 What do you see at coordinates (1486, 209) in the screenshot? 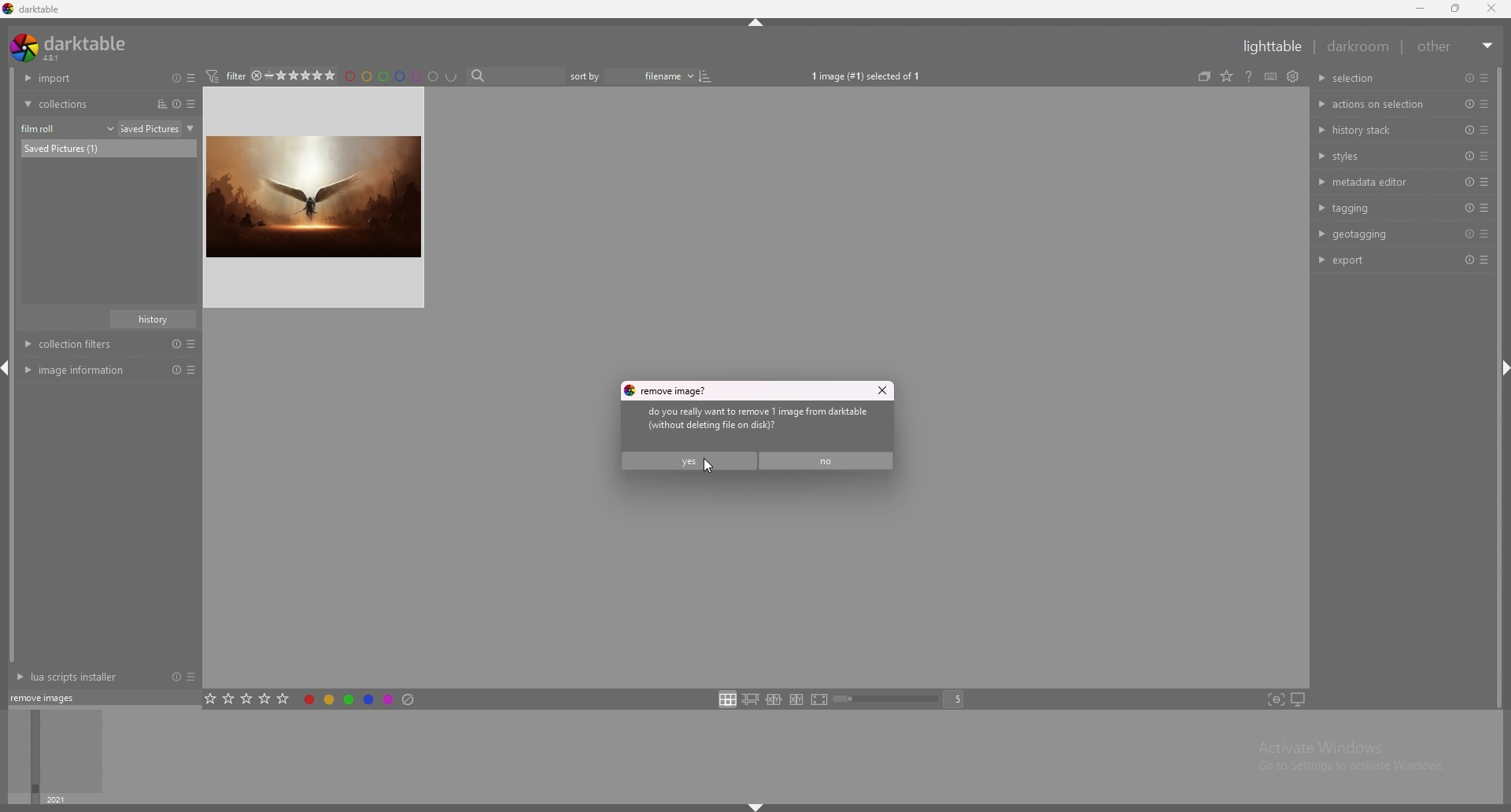
I see `` at bounding box center [1486, 209].